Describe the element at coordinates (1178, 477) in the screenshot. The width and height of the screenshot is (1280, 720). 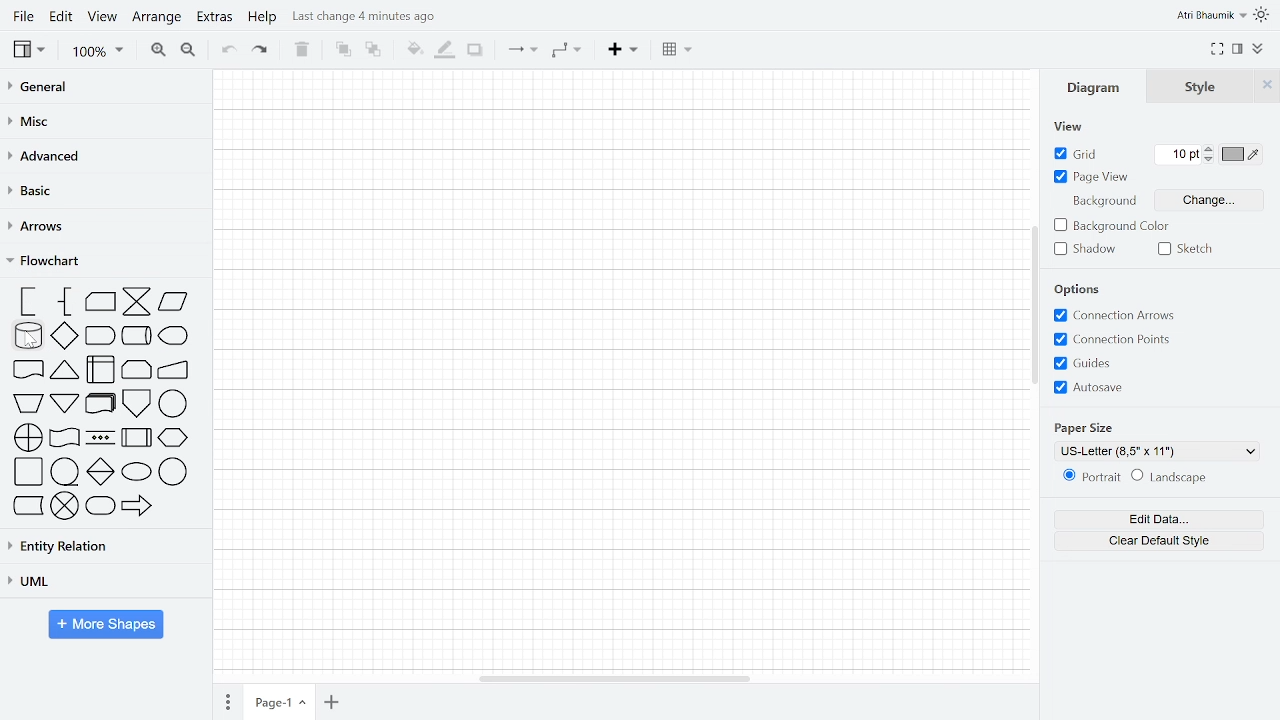
I see `Landscape` at that location.